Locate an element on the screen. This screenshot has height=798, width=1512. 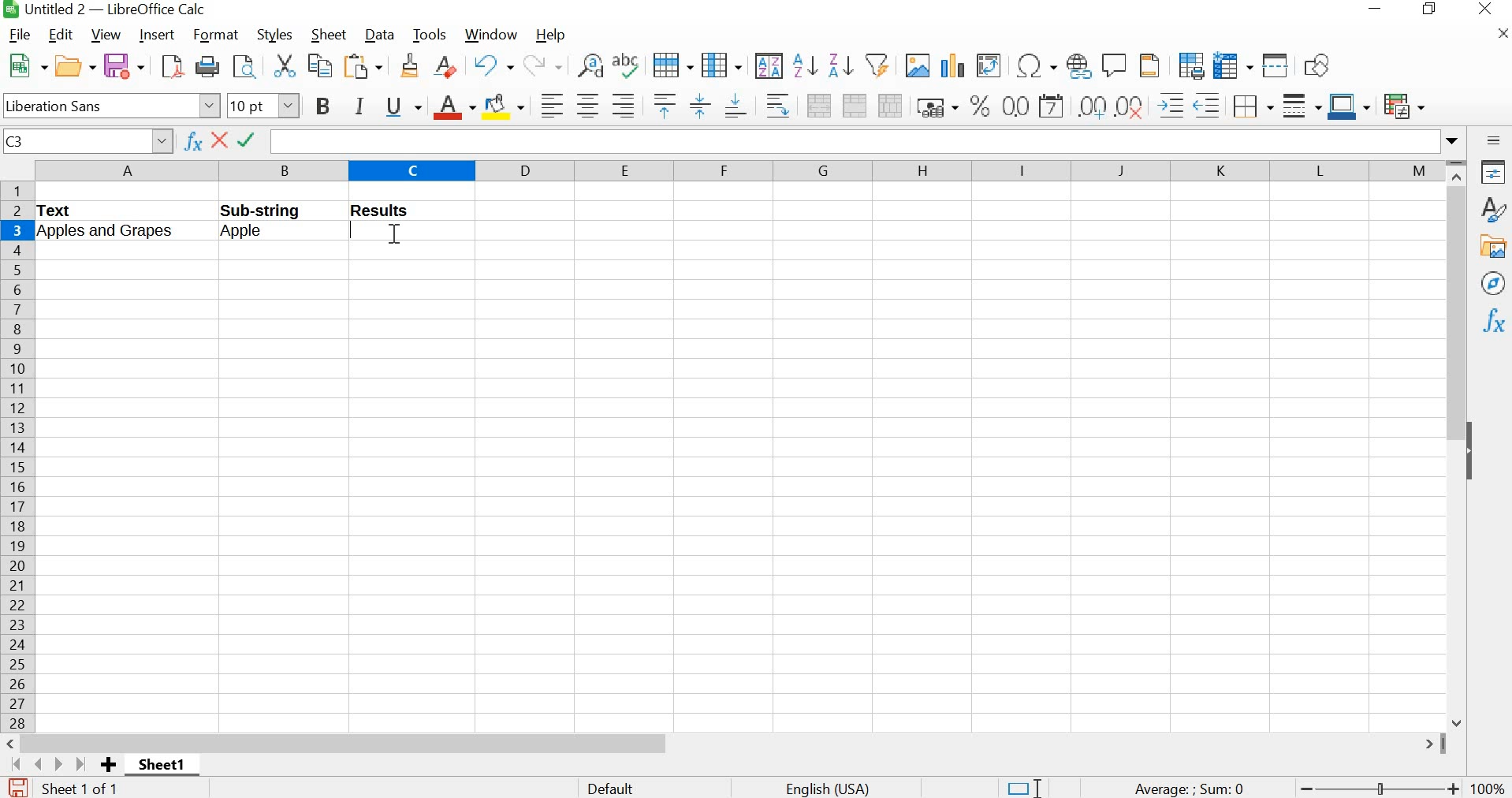
copy is located at coordinates (318, 65).